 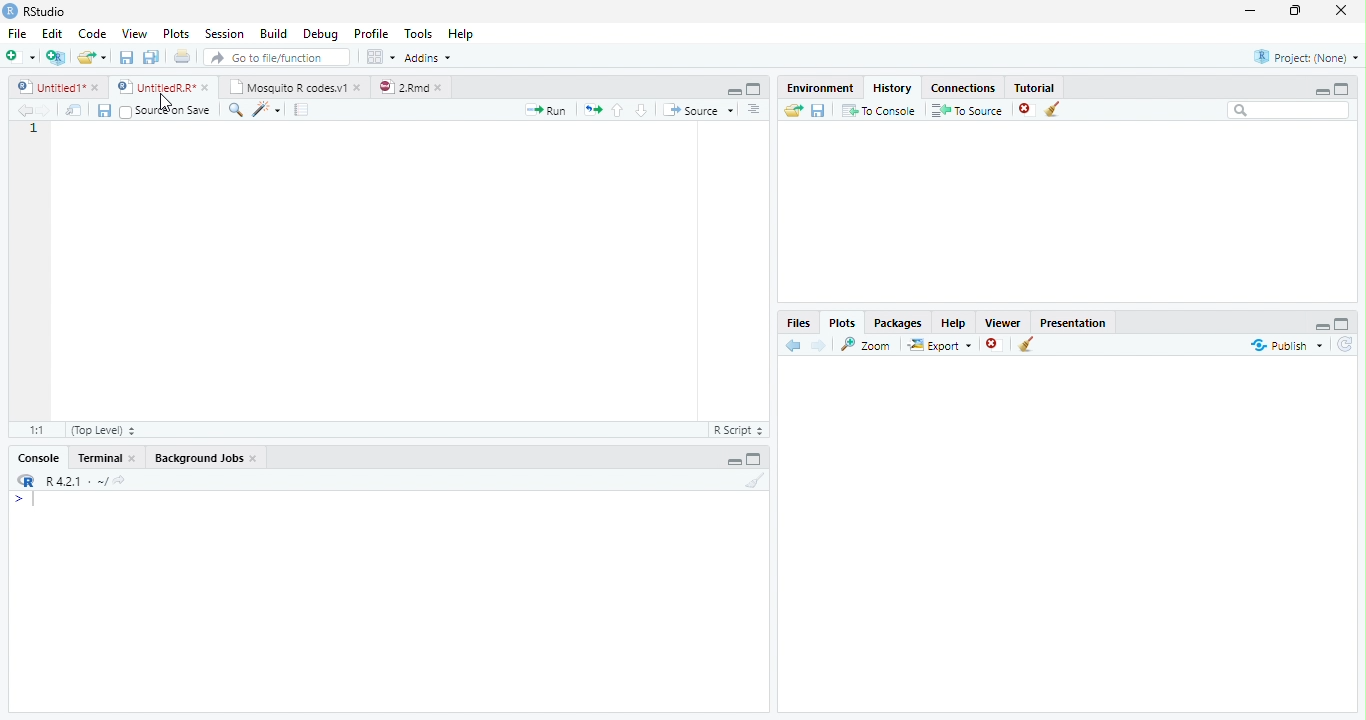 I want to click on Expand Height, so click(x=755, y=459).